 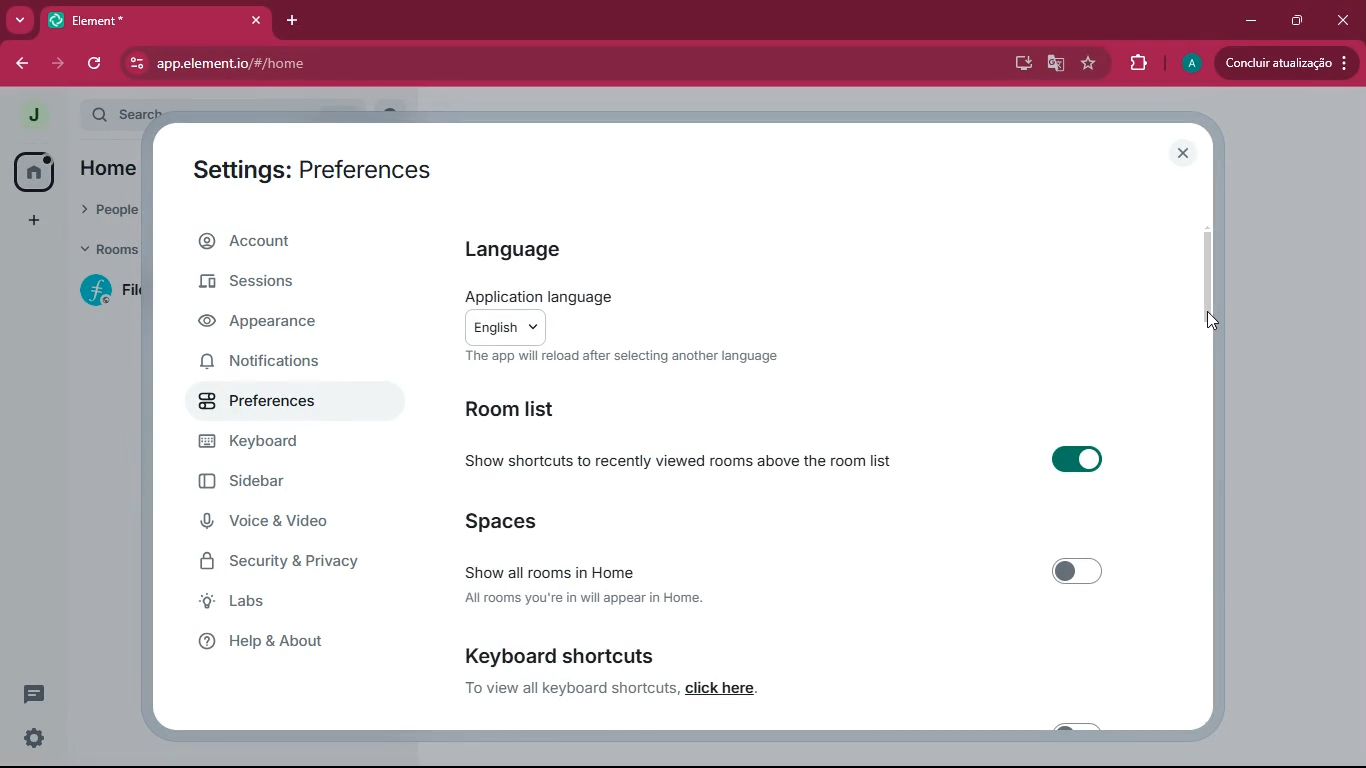 What do you see at coordinates (524, 411) in the screenshot?
I see `room list` at bounding box center [524, 411].